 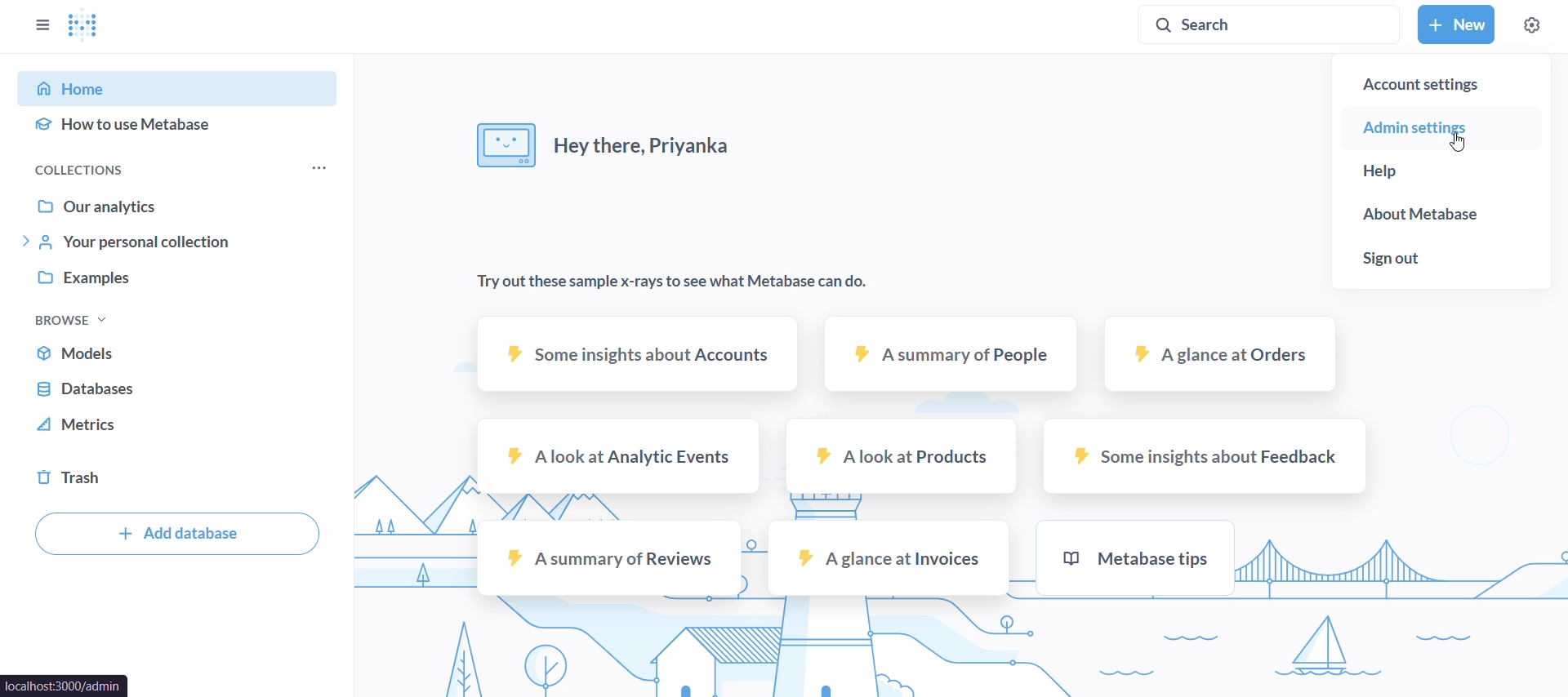 What do you see at coordinates (1456, 142) in the screenshot?
I see `Cursor` at bounding box center [1456, 142].